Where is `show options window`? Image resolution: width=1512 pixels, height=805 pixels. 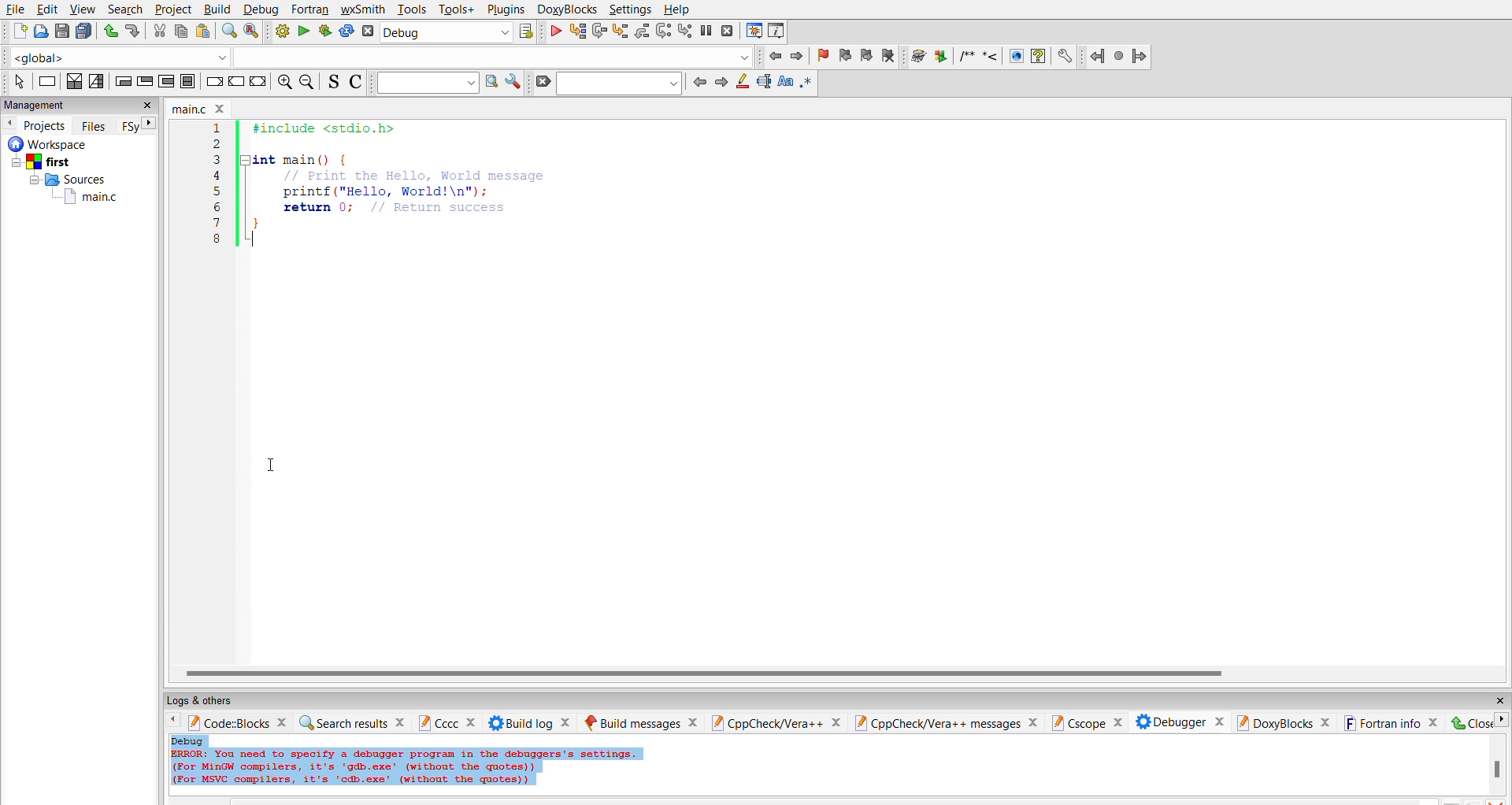
show options window is located at coordinates (514, 84).